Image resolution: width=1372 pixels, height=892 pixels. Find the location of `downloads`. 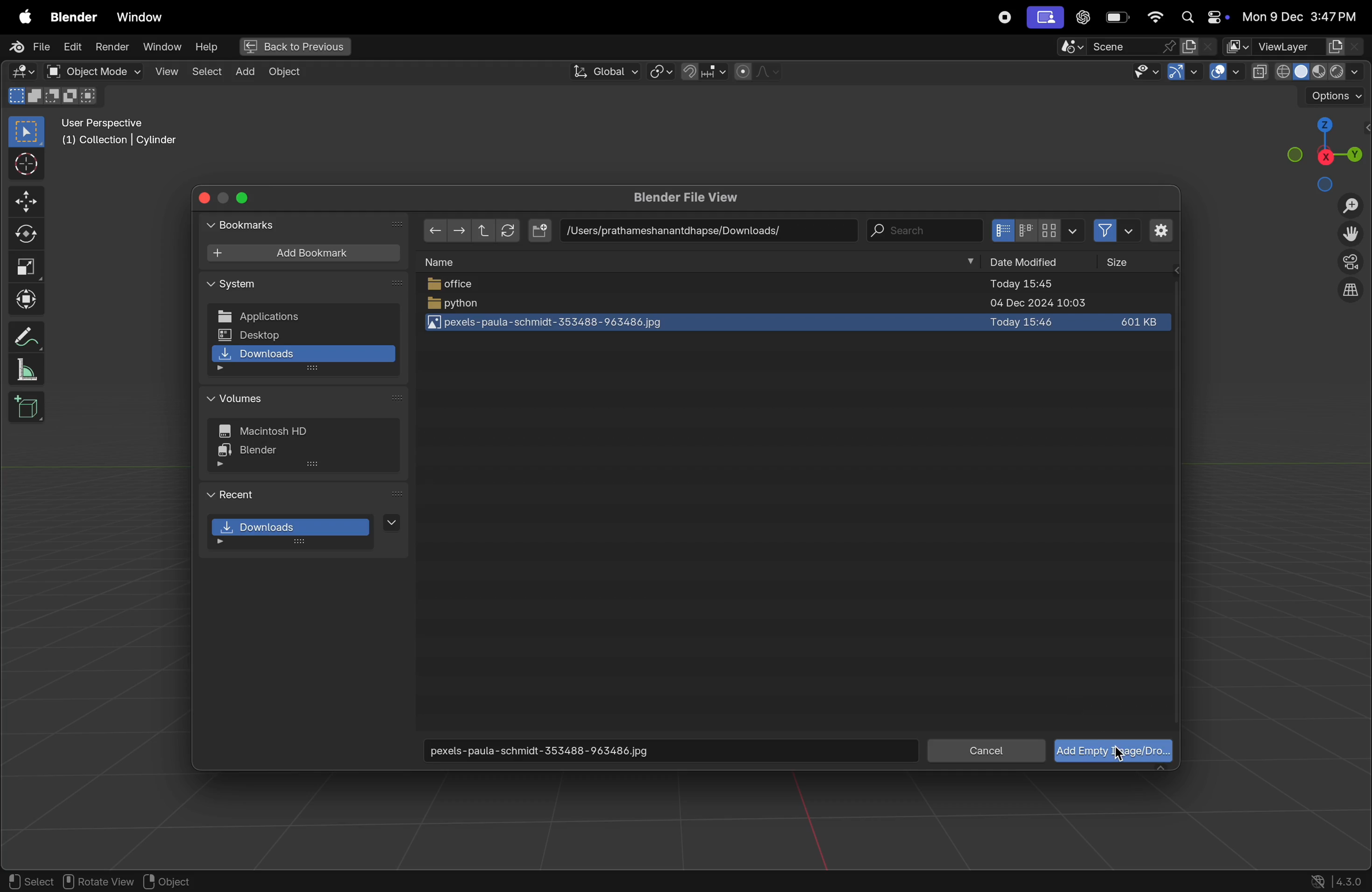

downloads is located at coordinates (304, 531).